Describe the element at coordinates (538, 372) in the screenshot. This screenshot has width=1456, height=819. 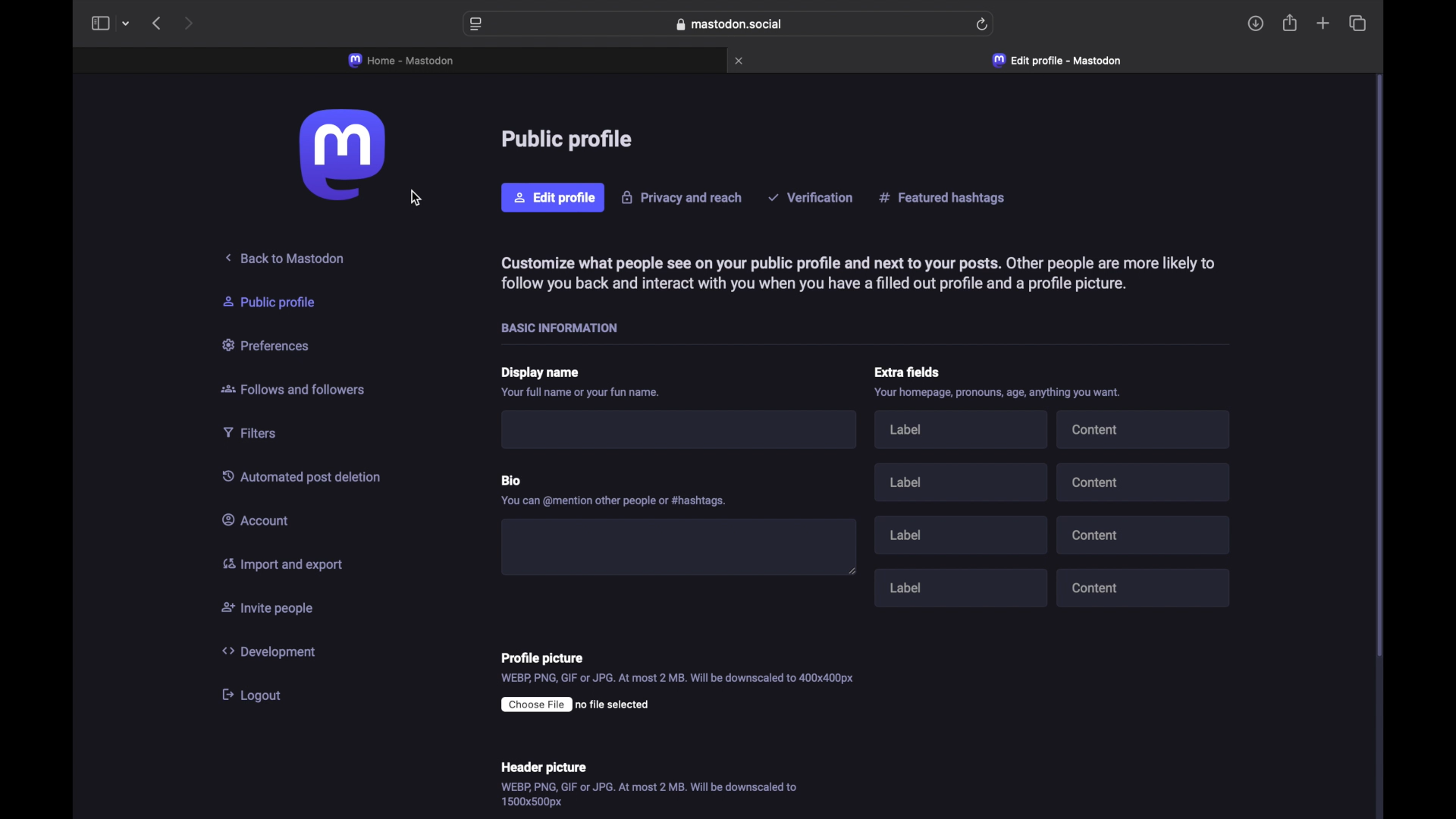
I see `display name` at that location.